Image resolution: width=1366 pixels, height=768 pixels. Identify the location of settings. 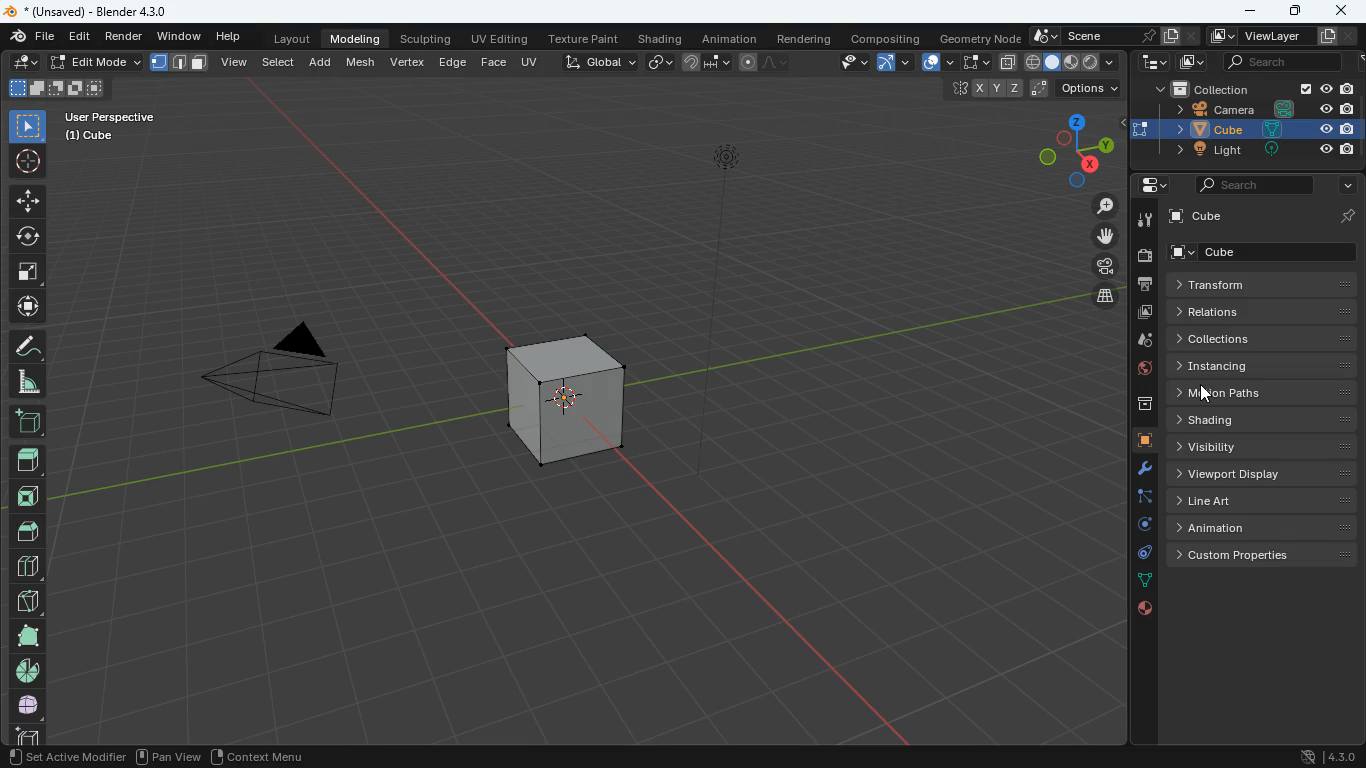
(1147, 186).